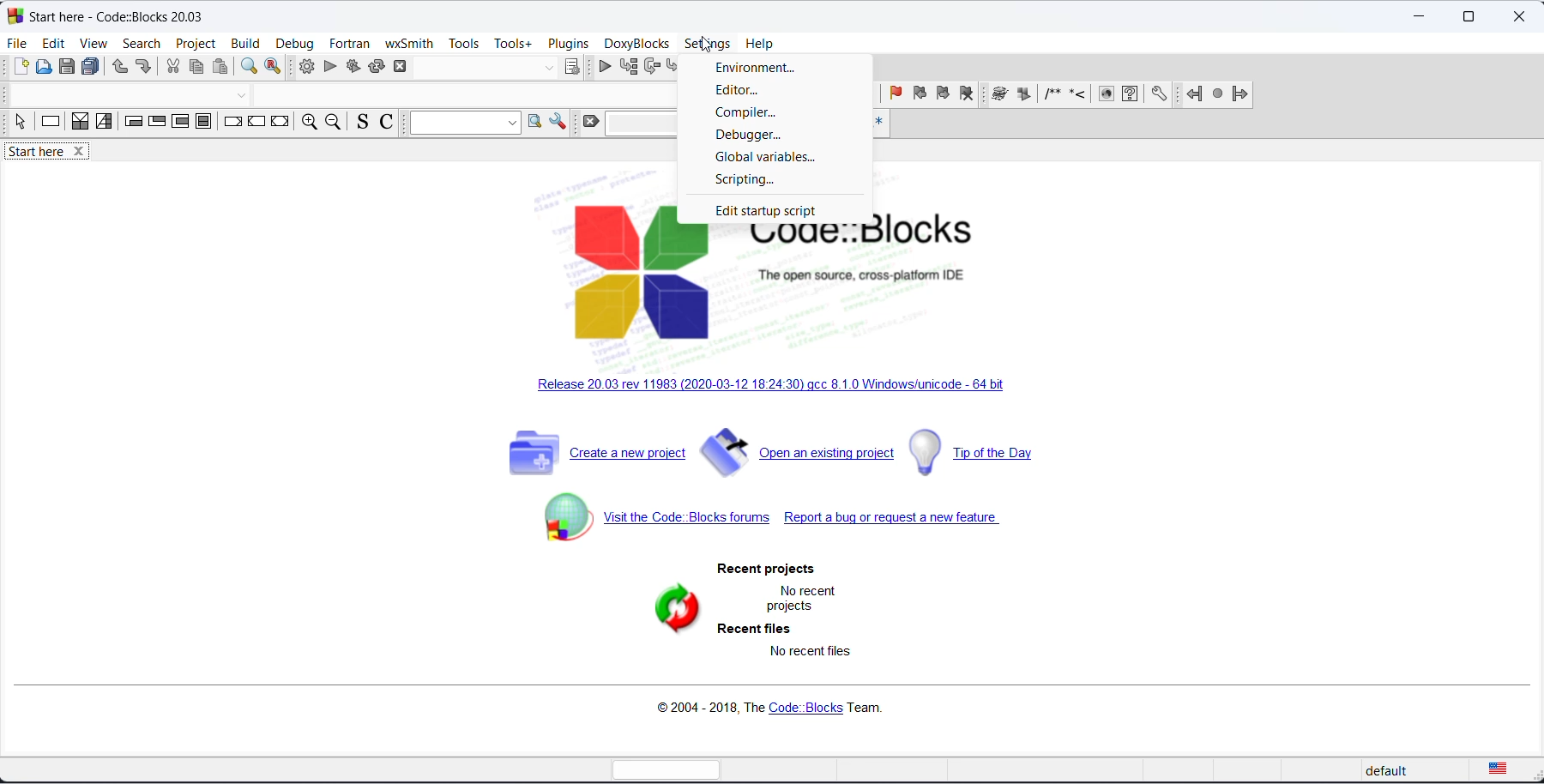 The image size is (1544, 784). I want to click on plugins, so click(569, 43).